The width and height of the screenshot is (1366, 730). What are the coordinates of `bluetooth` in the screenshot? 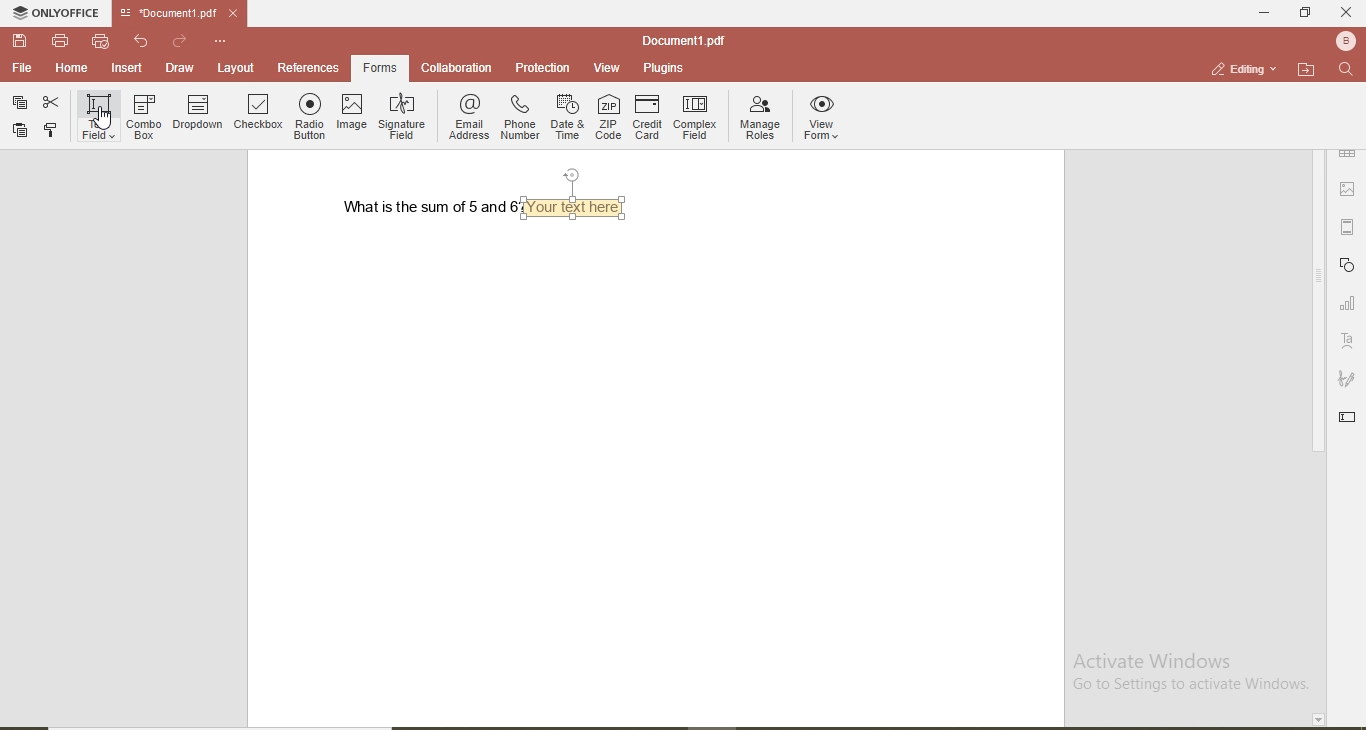 It's located at (1343, 41).